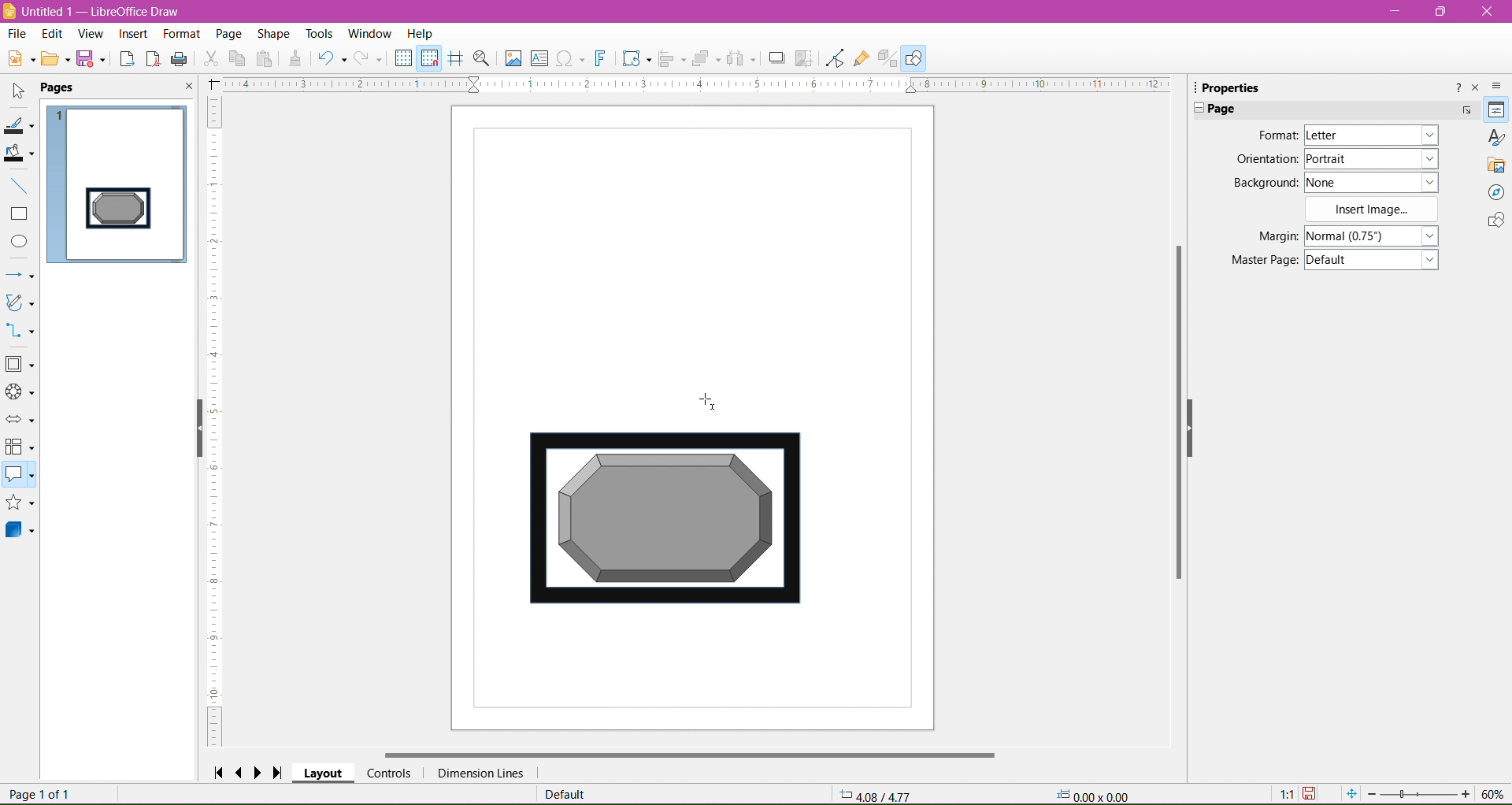 This screenshot has height=805, width=1512. Describe the element at coordinates (19, 91) in the screenshot. I see `Select` at that location.